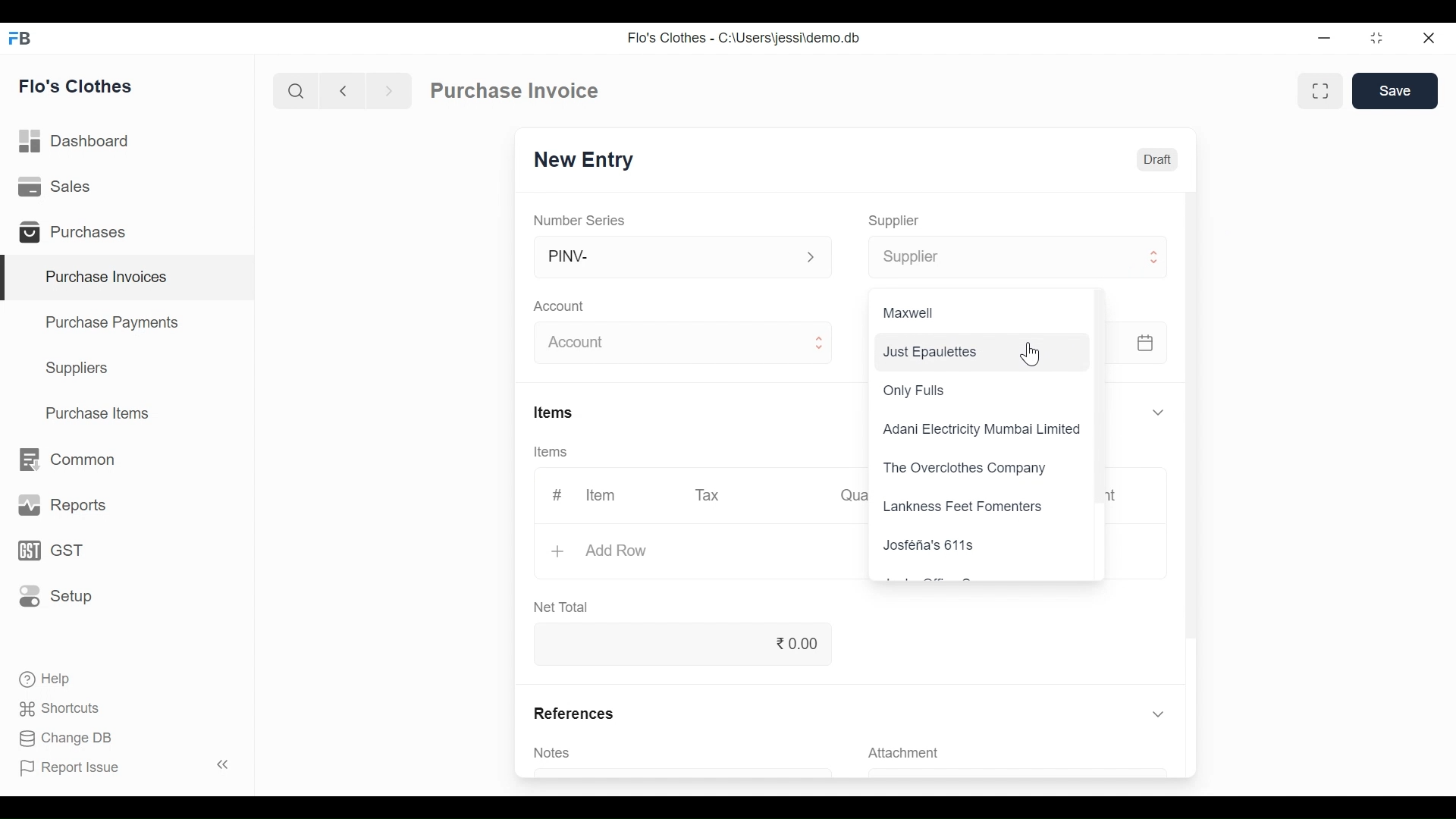 This screenshot has height=819, width=1456. Describe the element at coordinates (1030, 353) in the screenshot. I see `cursor` at that location.